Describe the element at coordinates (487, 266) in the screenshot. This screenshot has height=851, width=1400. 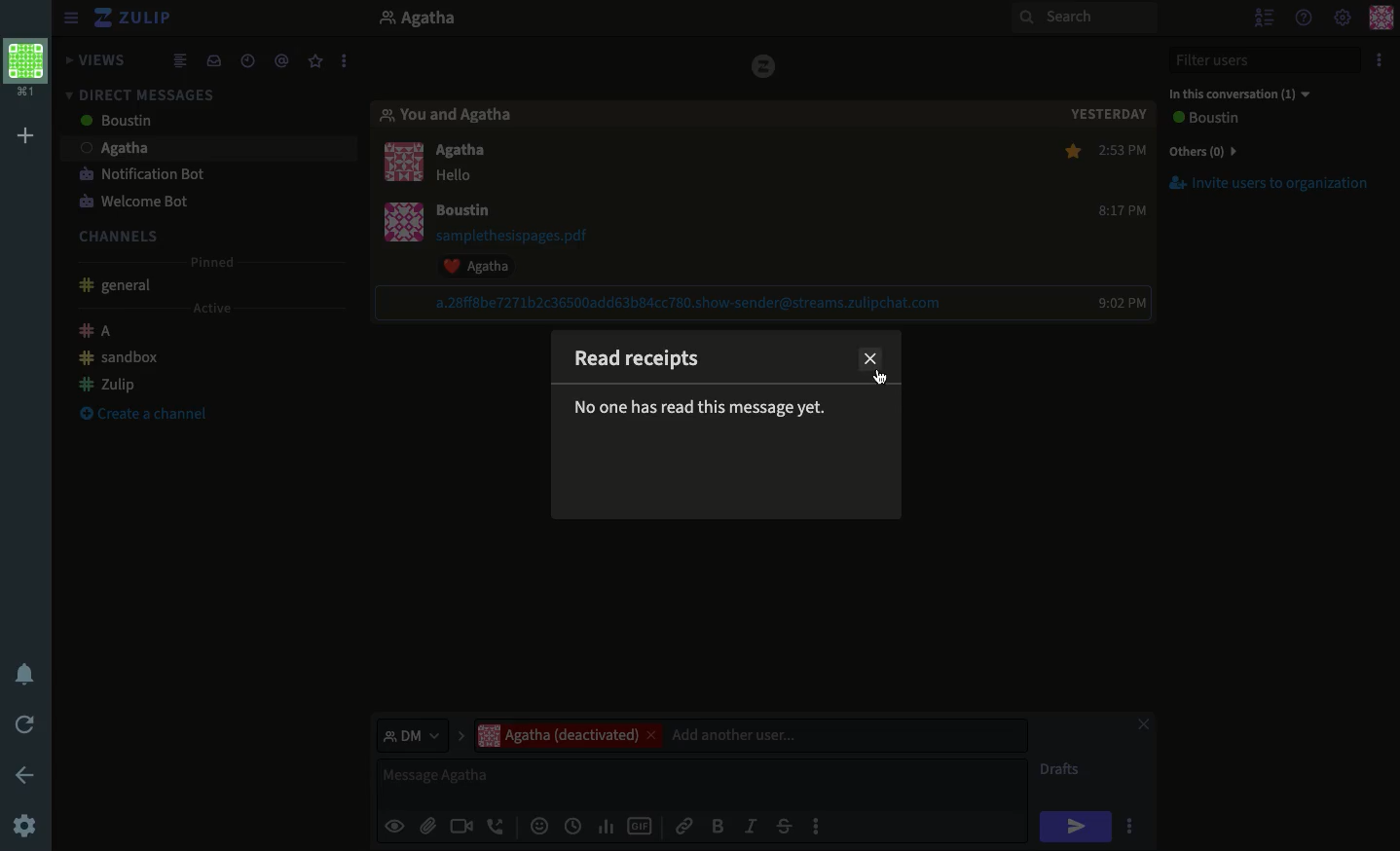
I see `Reaction` at that location.